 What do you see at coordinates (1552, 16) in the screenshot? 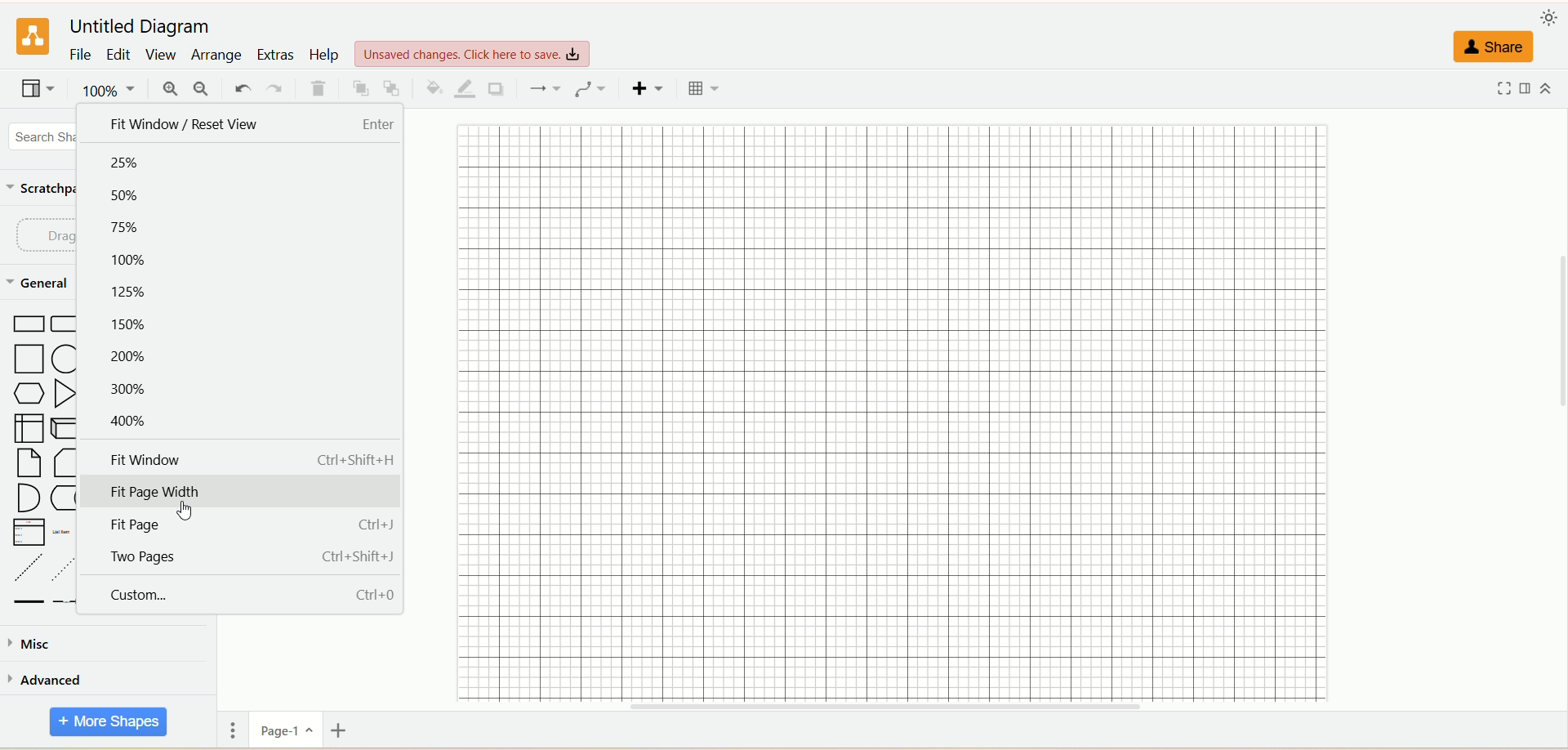
I see `appearance` at bounding box center [1552, 16].